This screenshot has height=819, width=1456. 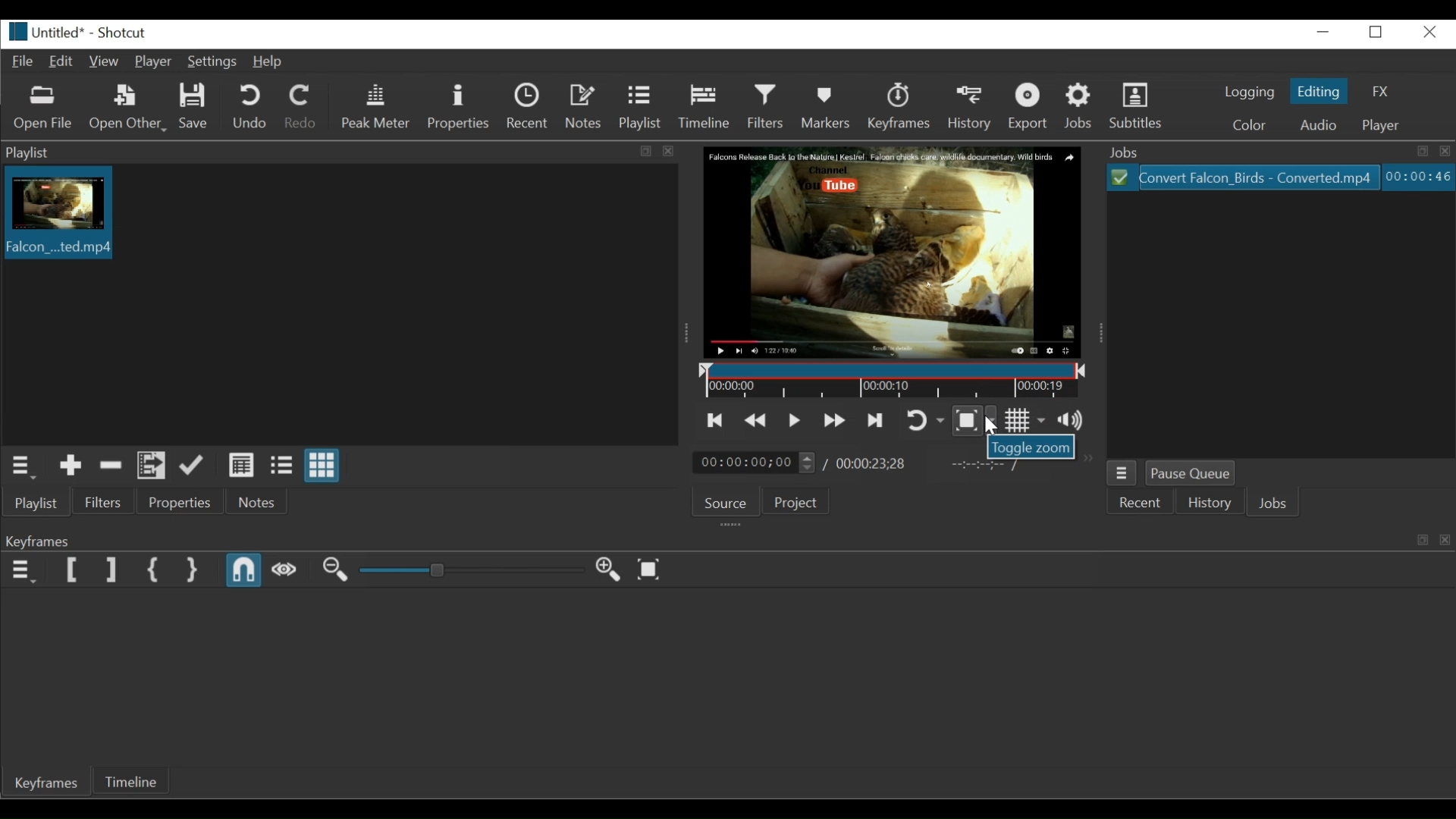 What do you see at coordinates (725, 503) in the screenshot?
I see `Source` at bounding box center [725, 503].